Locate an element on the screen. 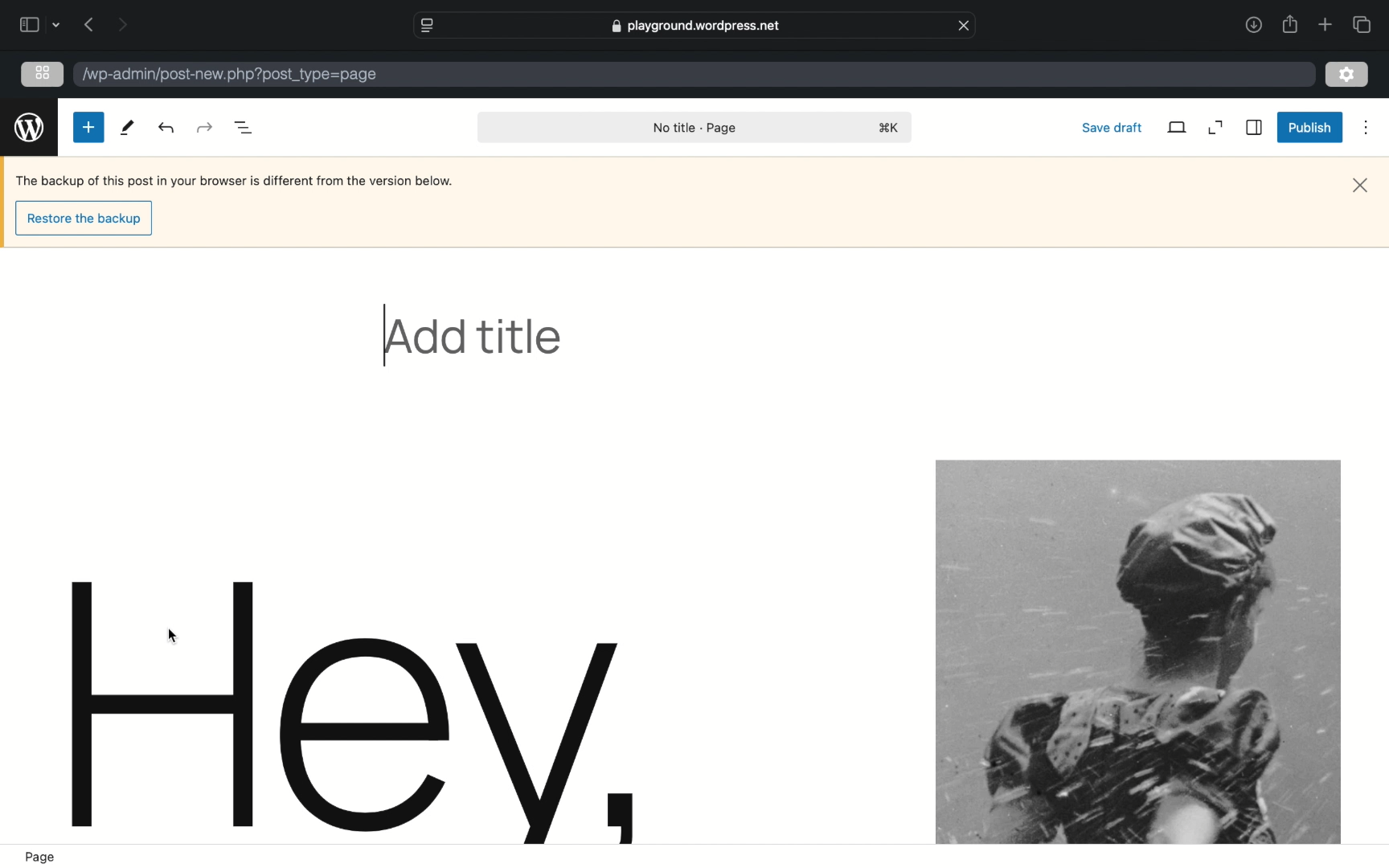 This screenshot has height=868, width=1389. cursor is located at coordinates (173, 636).